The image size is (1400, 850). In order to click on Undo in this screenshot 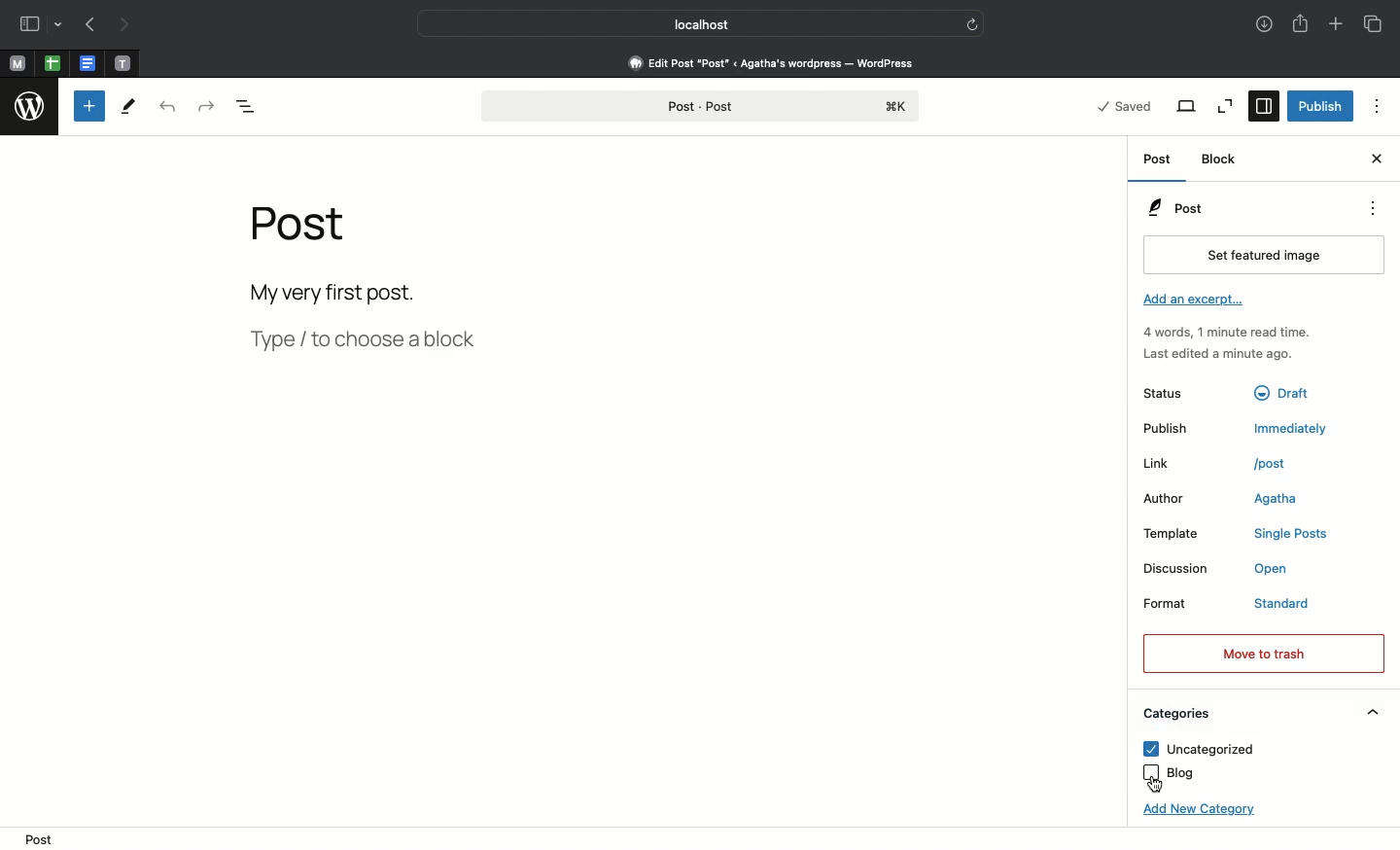, I will do `click(167, 109)`.